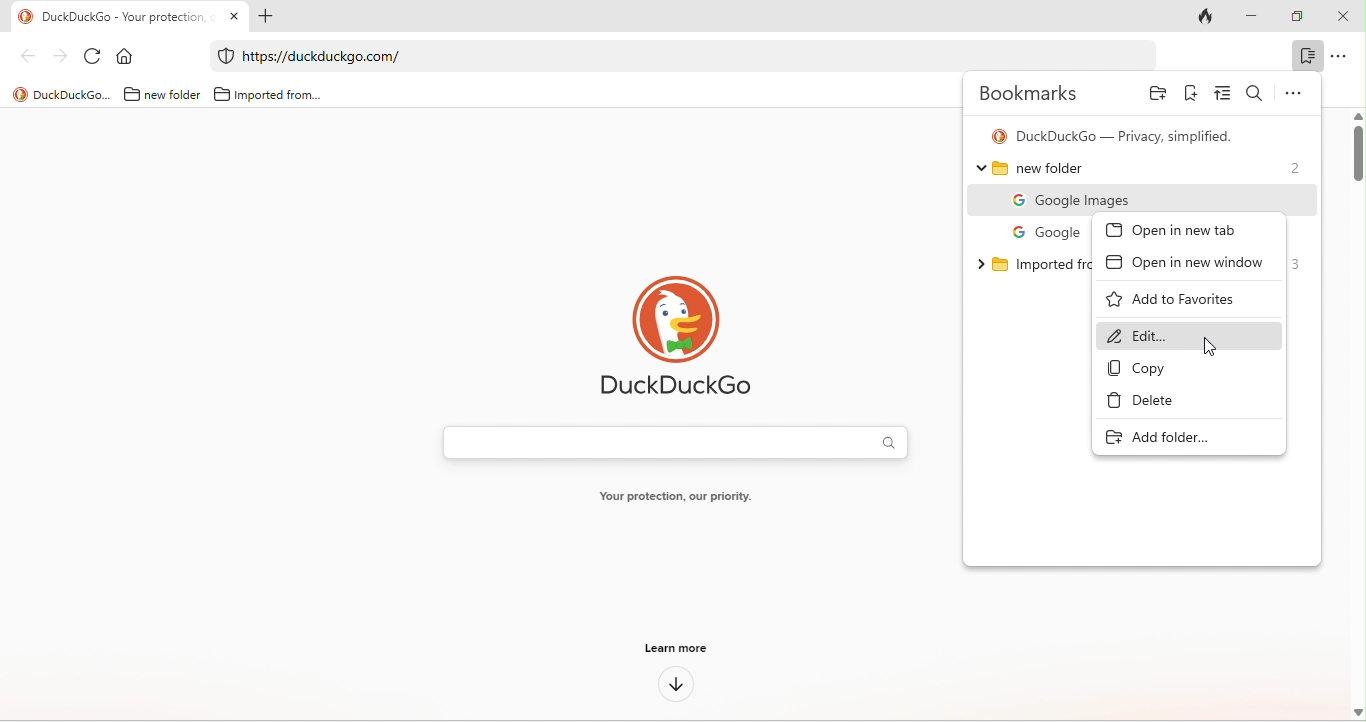 The image size is (1366, 722). I want to click on add folder, so click(1156, 96).